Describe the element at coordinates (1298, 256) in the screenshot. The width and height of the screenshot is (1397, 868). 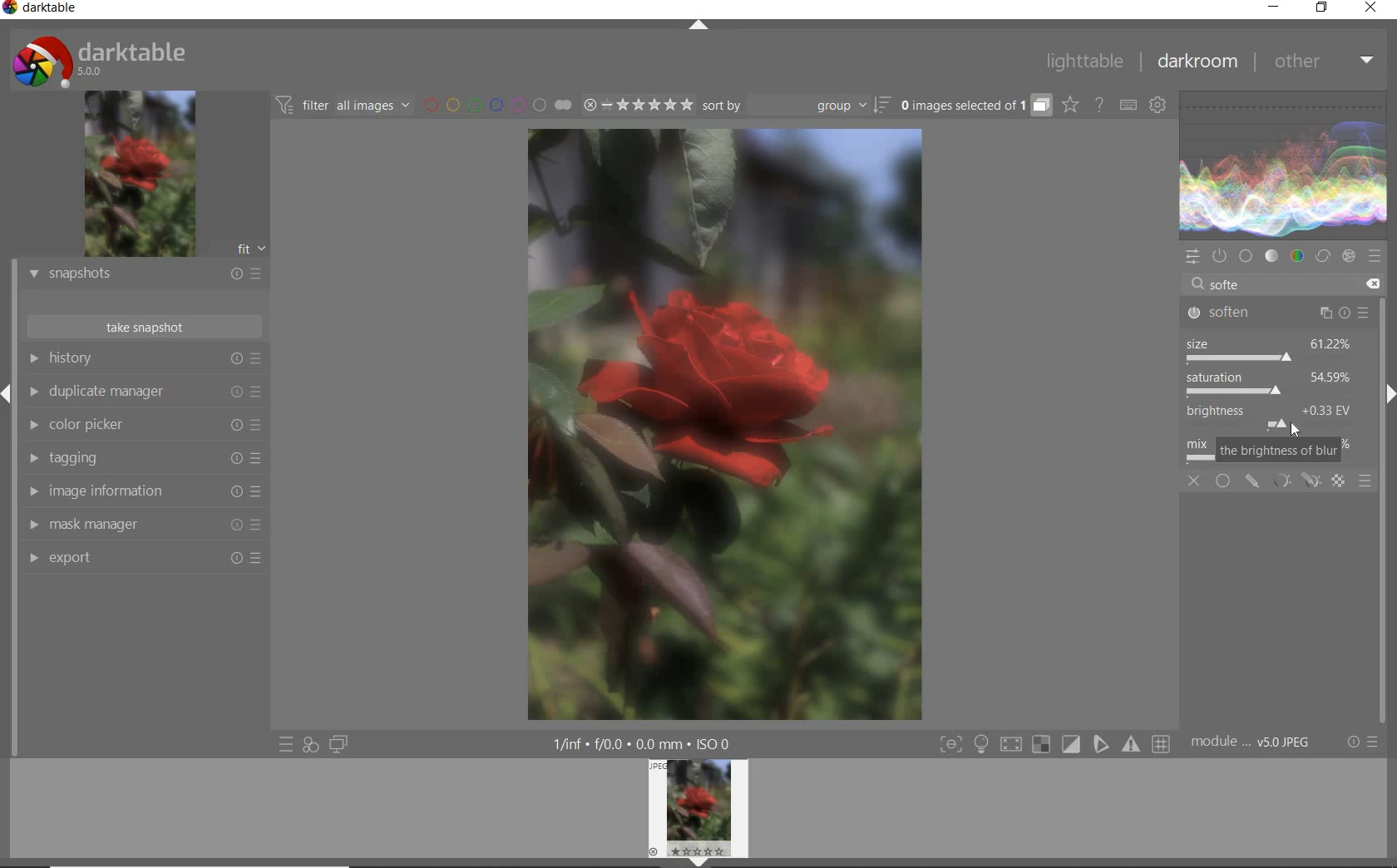
I see `color` at that location.